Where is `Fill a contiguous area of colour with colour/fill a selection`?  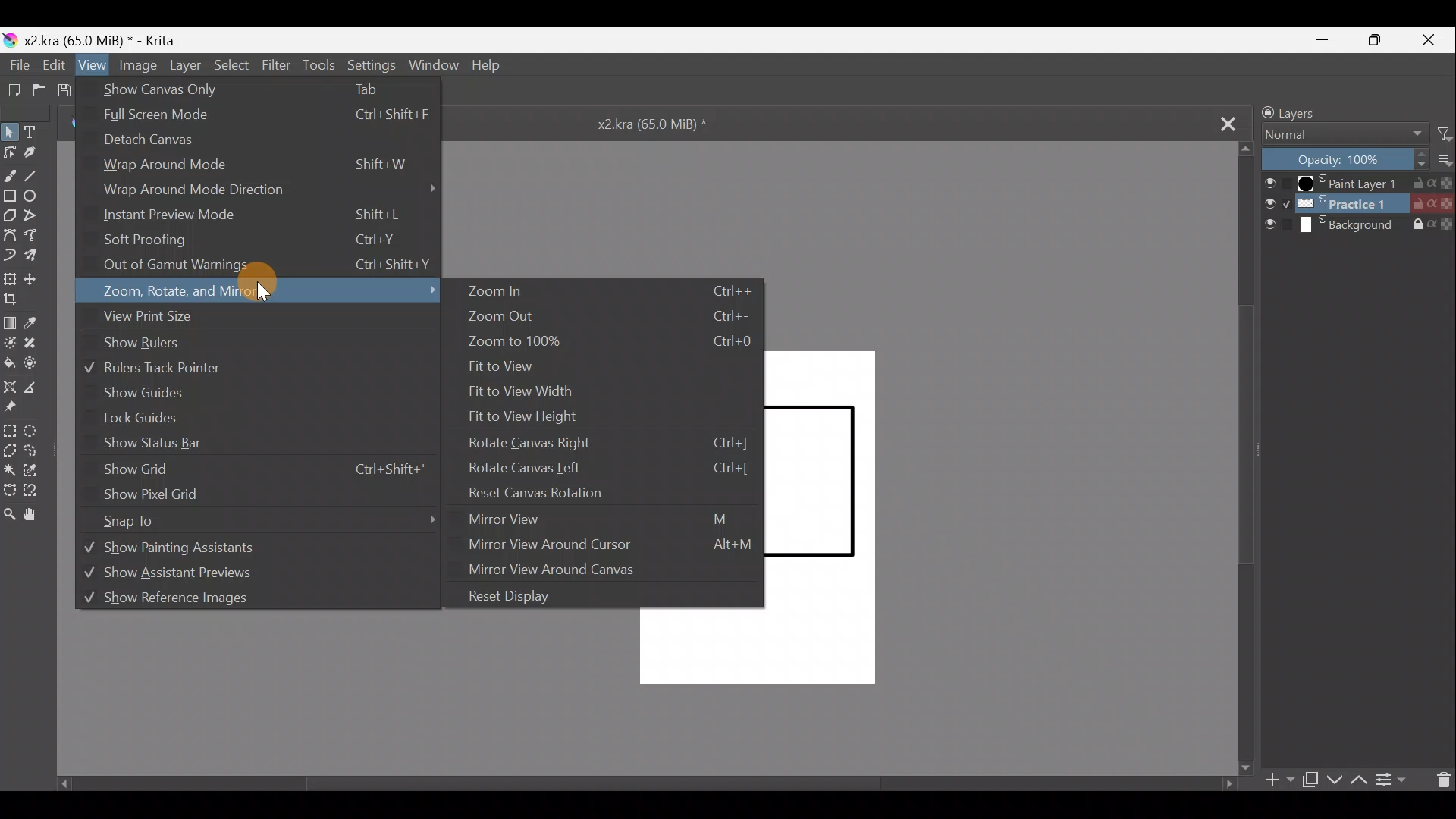
Fill a contiguous area of colour with colour/fill a selection is located at coordinates (9, 362).